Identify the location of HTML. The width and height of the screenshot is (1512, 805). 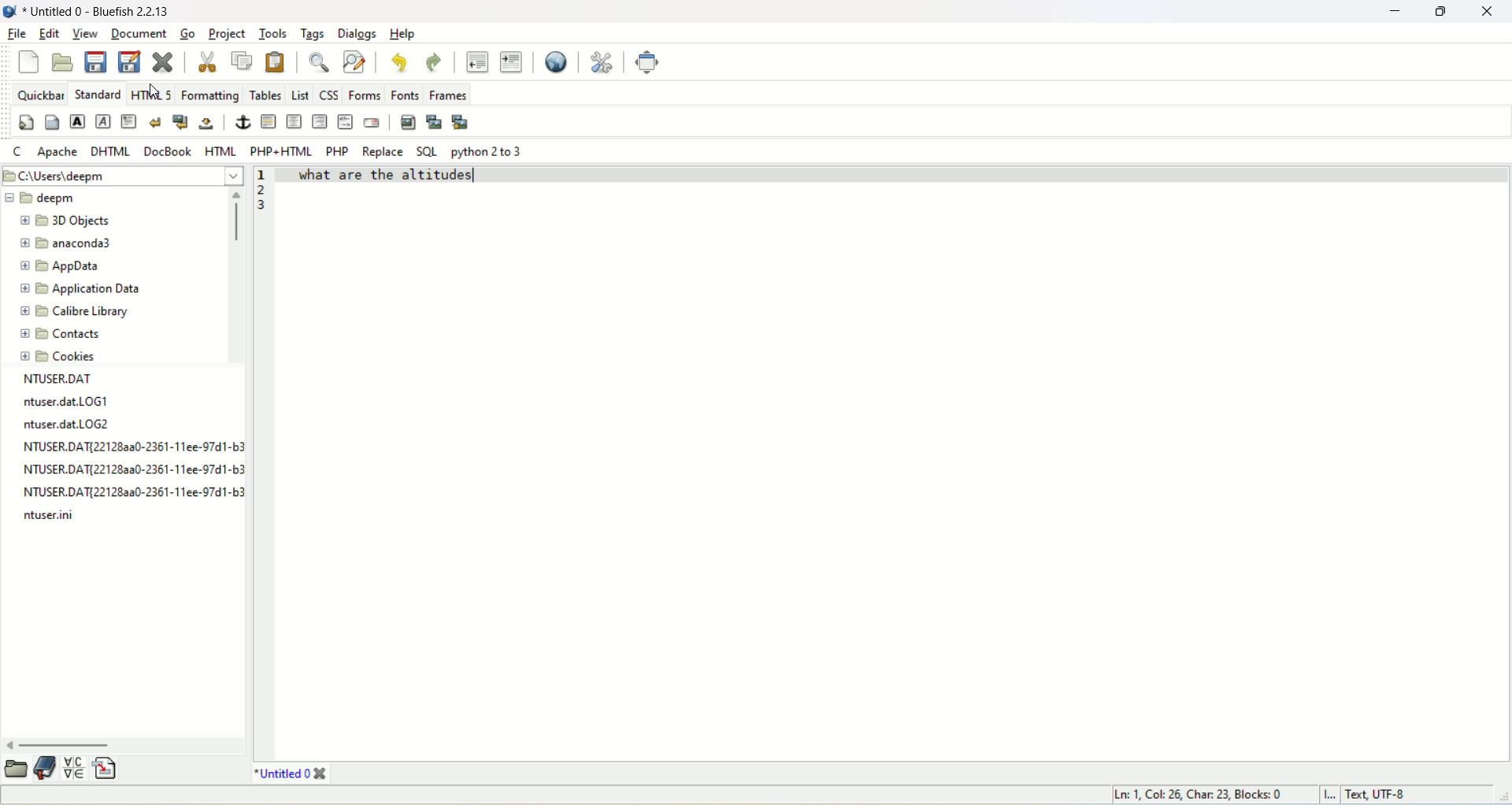
(154, 95).